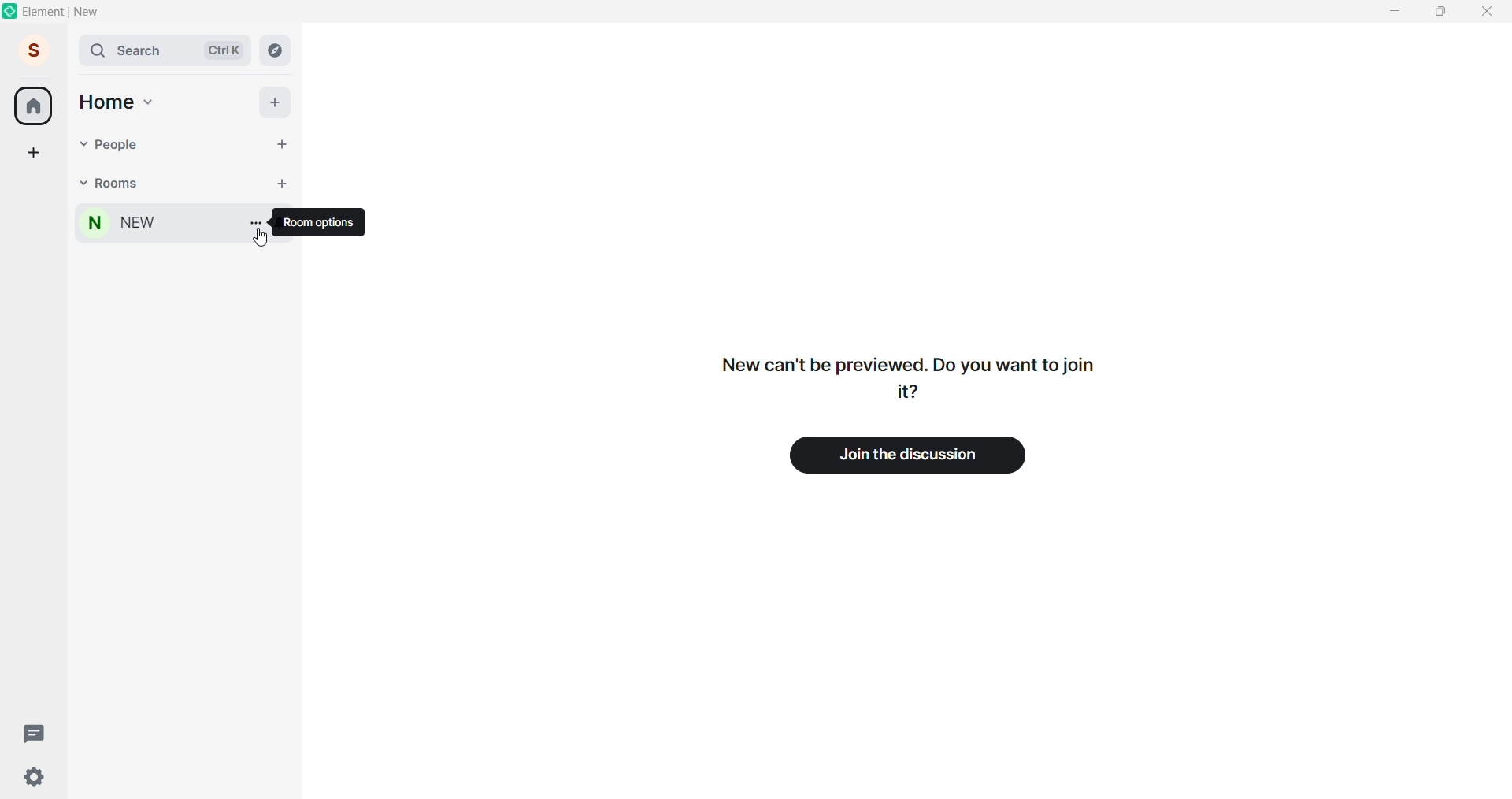 This screenshot has width=1512, height=799. I want to click on start chat, so click(272, 142).